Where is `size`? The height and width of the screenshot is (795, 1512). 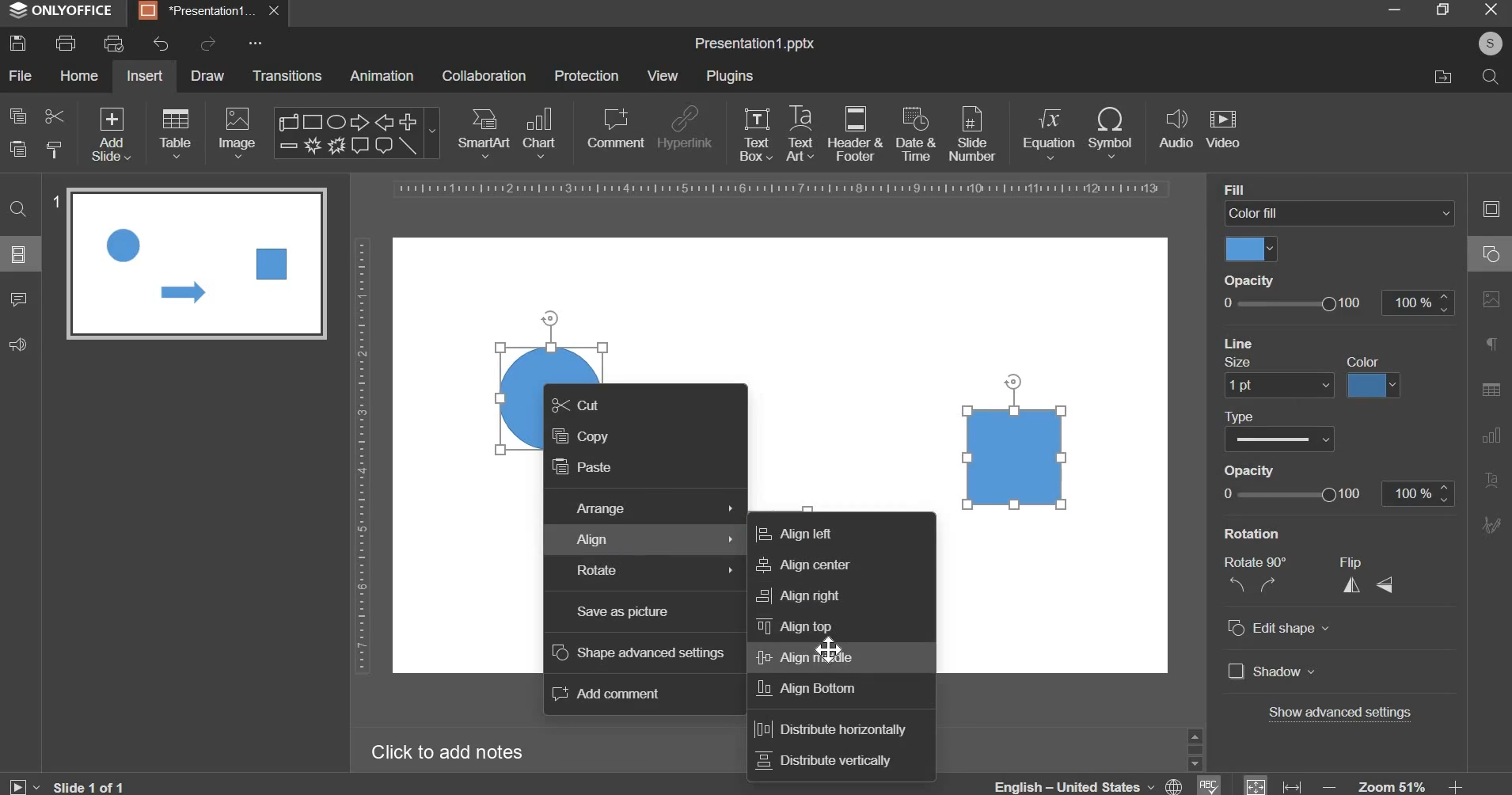
size is located at coordinates (1238, 360).